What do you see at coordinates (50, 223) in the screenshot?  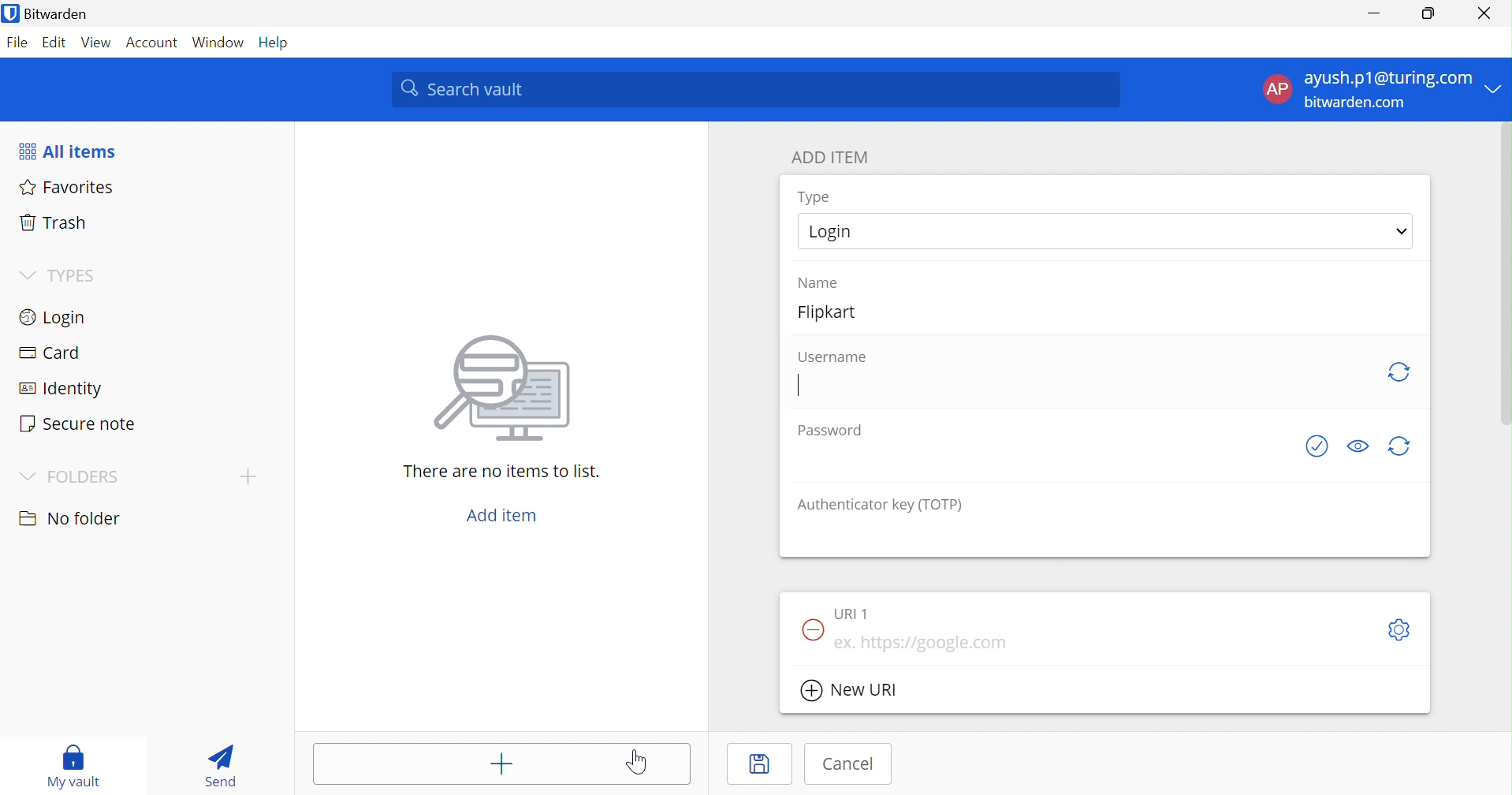 I see `Trash` at bounding box center [50, 223].